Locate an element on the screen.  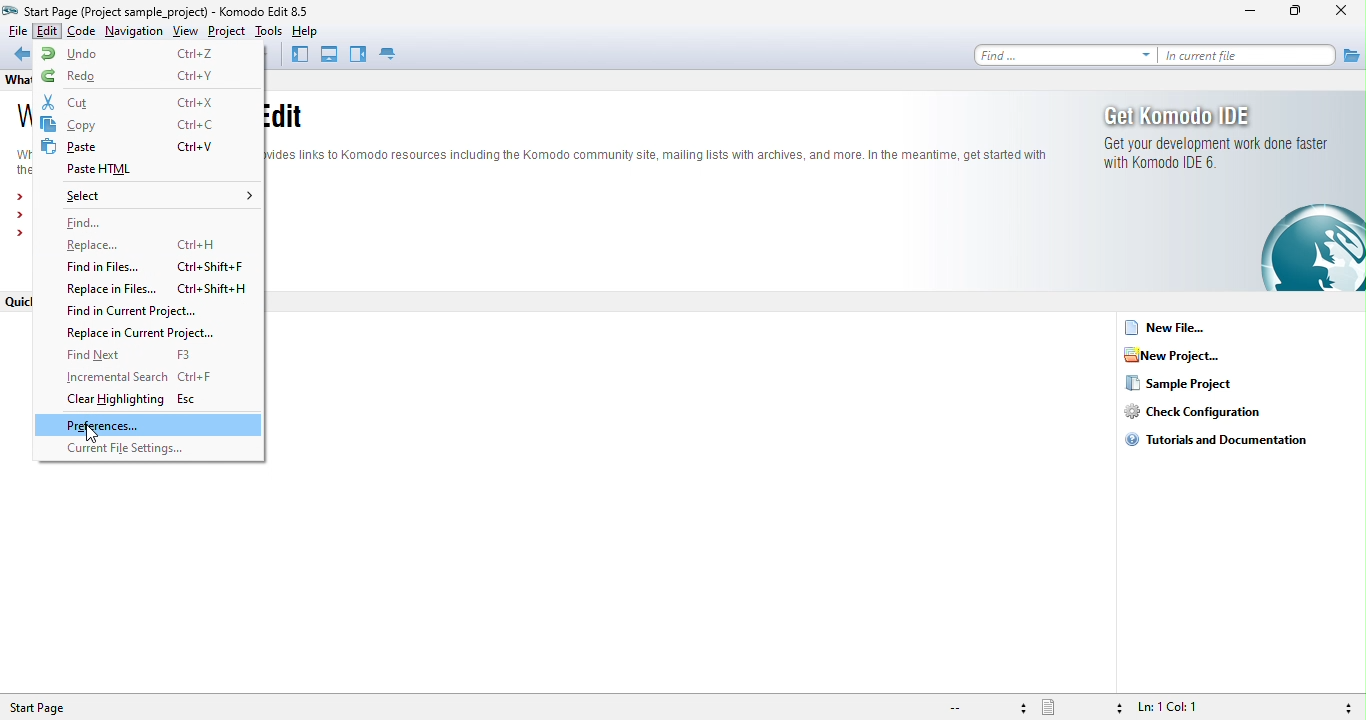
cut is located at coordinates (135, 102).